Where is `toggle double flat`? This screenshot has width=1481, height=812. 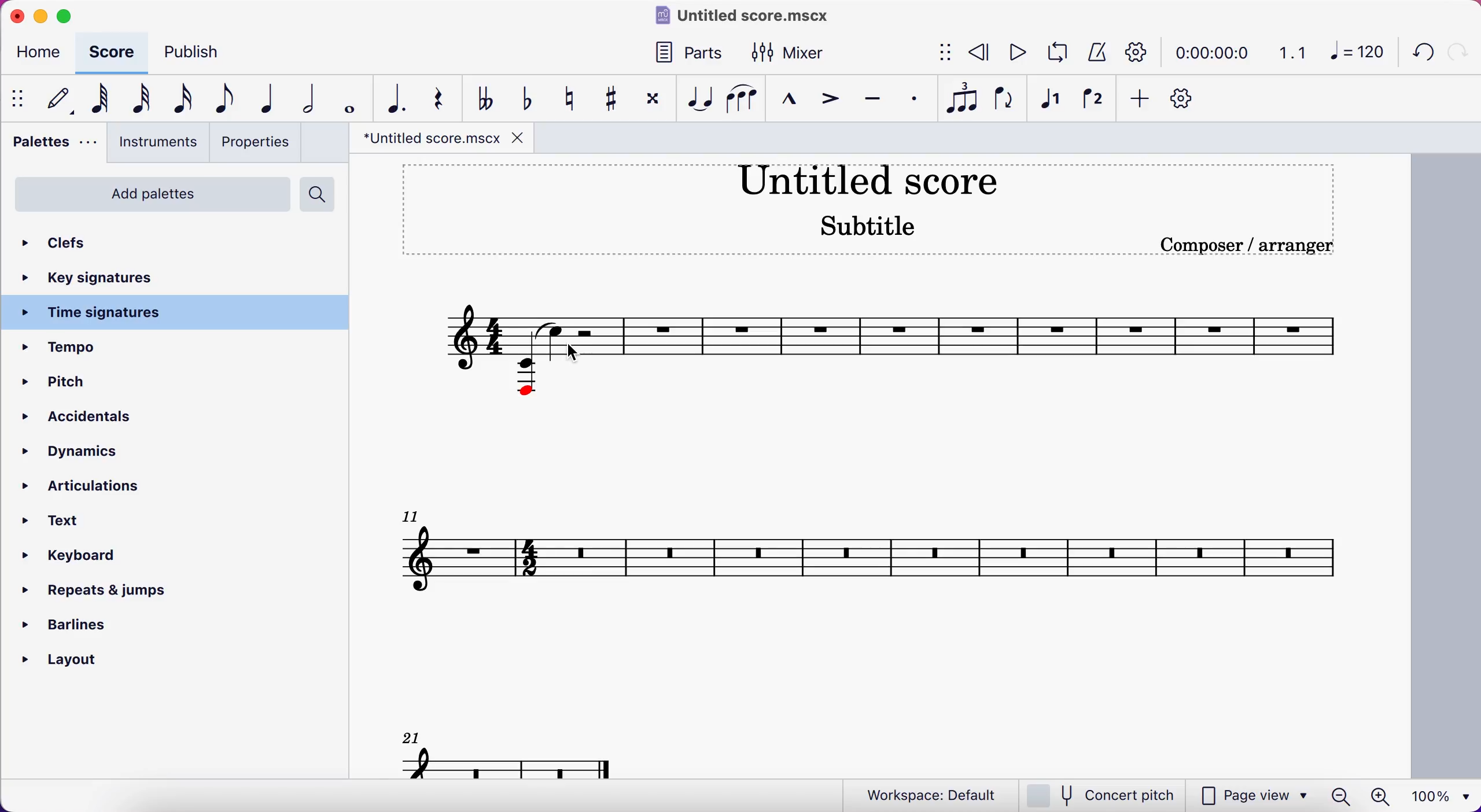
toggle double flat is located at coordinates (488, 98).